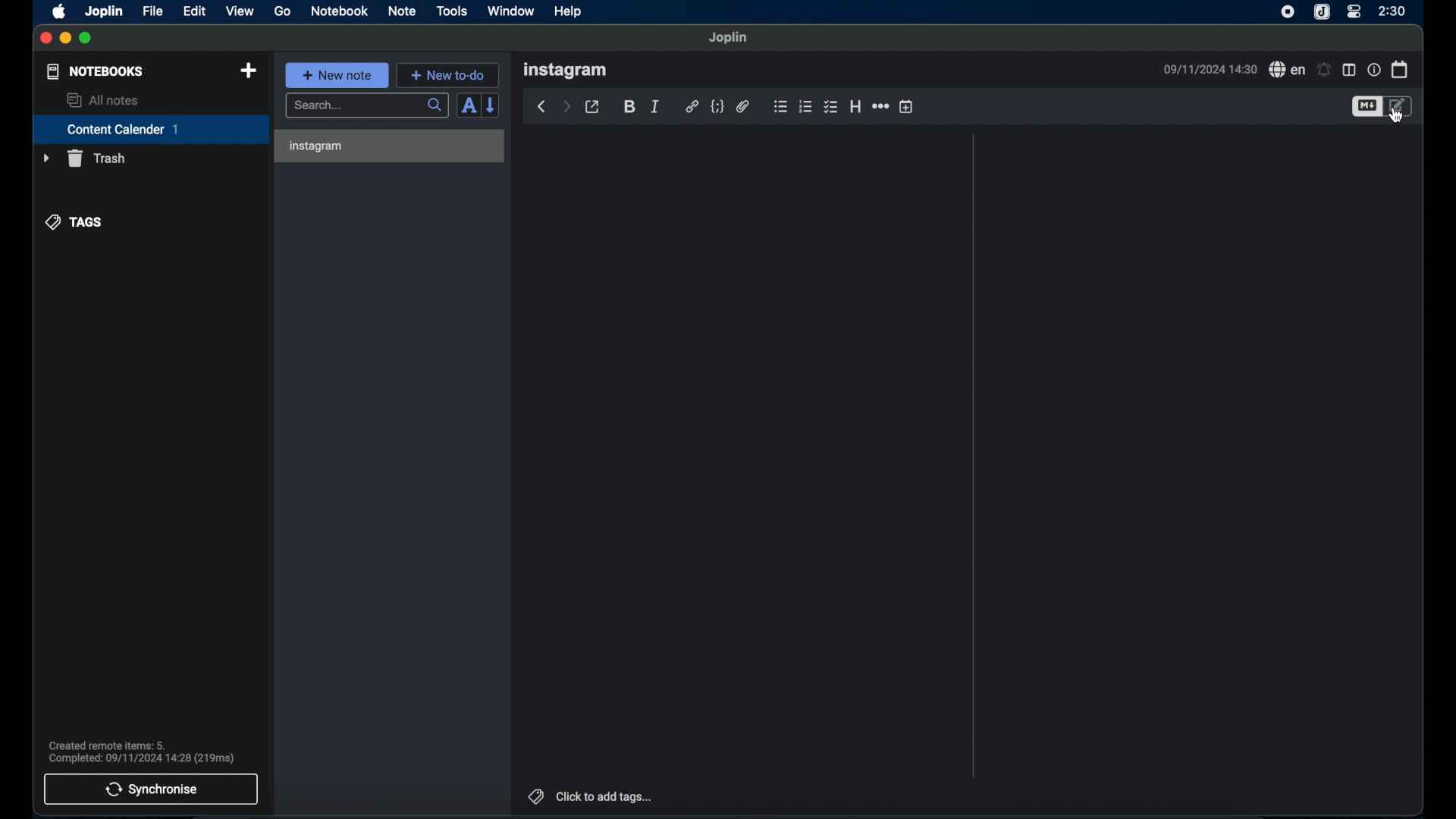 The image size is (1456, 819). I want to click on 2:30(time), so click(1392, 11).